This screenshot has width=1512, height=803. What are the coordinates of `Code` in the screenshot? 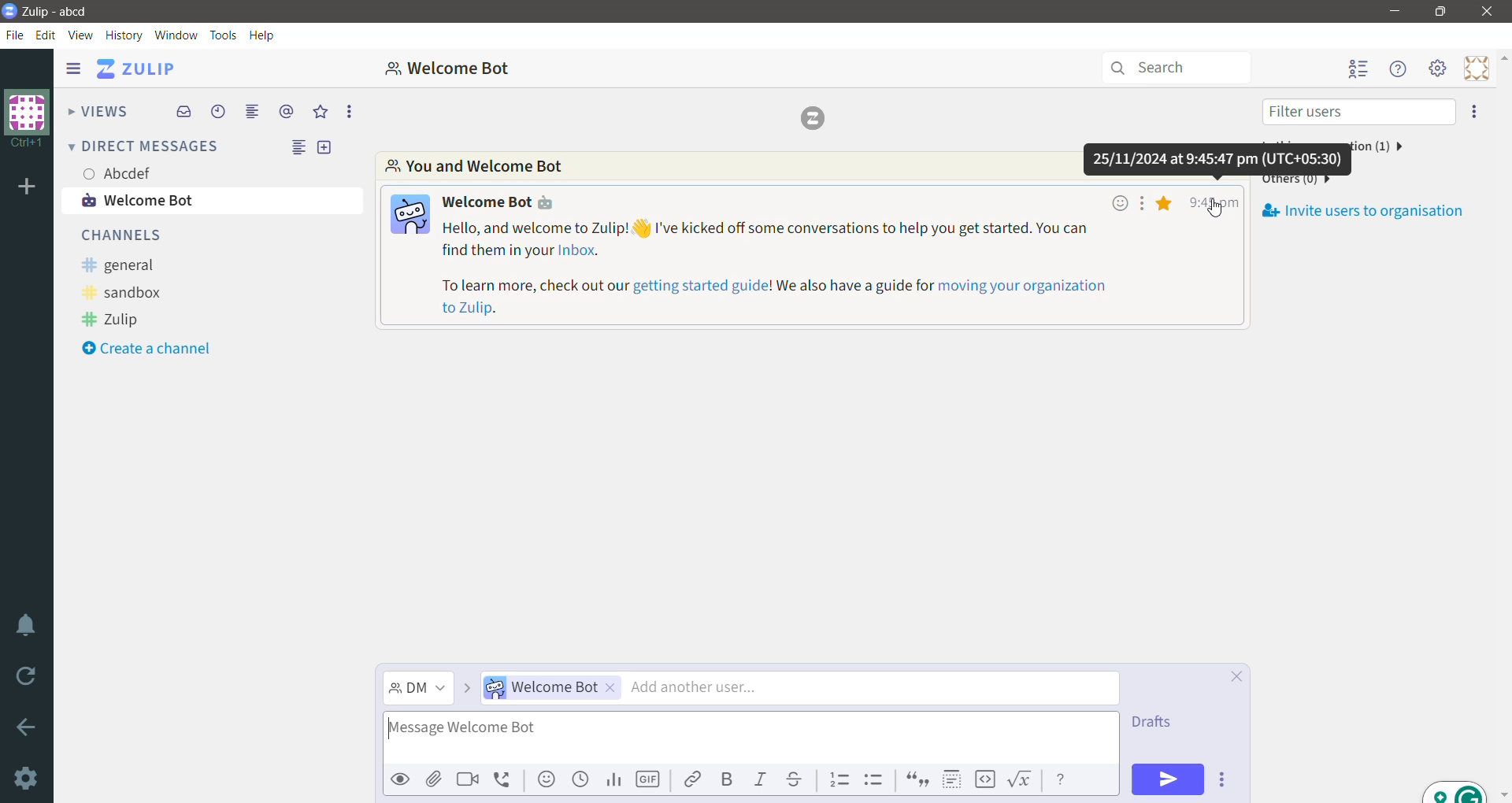 It's located at (984, 780).